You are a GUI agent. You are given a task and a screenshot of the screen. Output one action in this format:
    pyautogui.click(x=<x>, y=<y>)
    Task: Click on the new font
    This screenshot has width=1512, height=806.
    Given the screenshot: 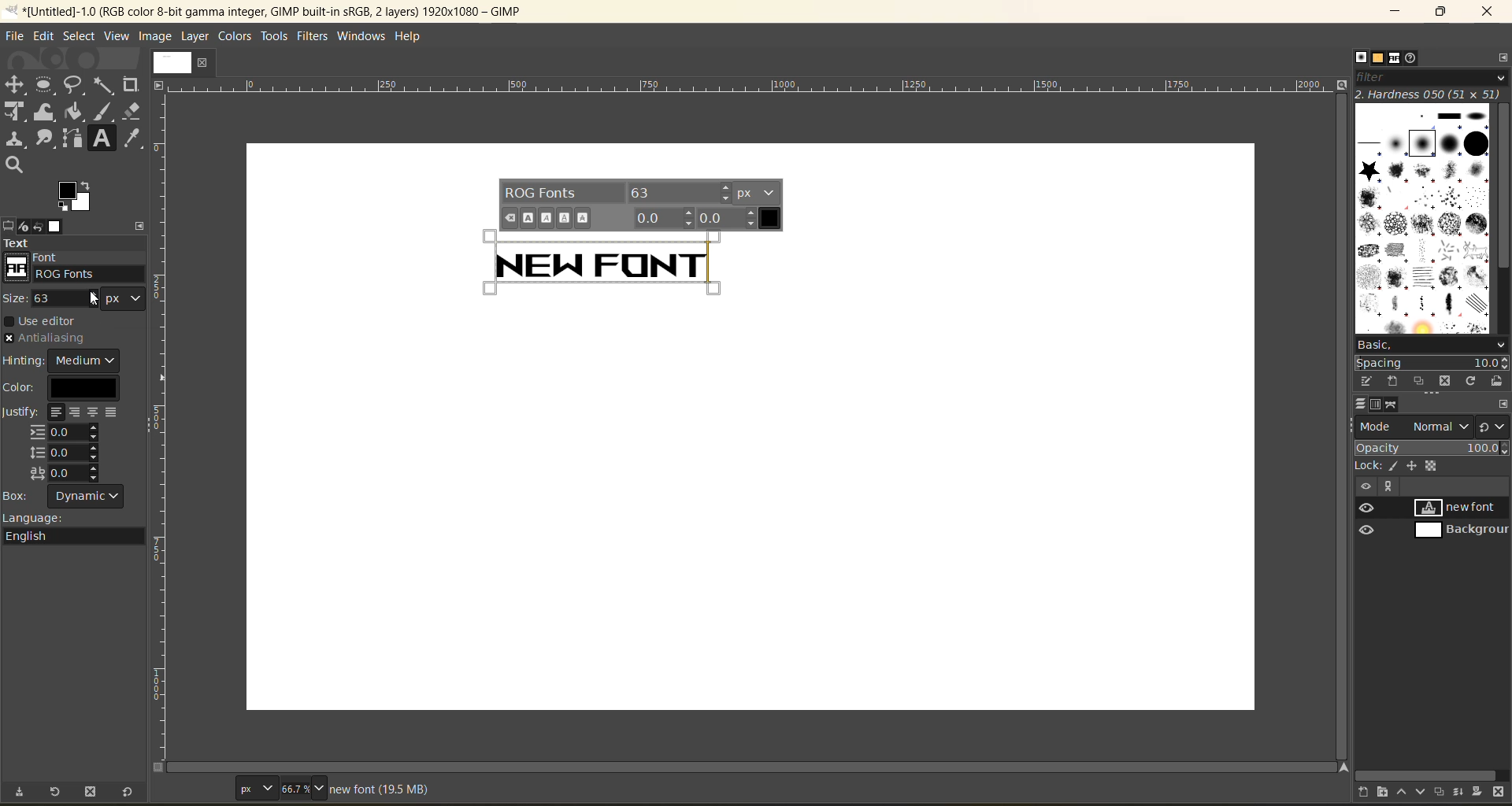 What is the action you would take?
    pyautogui.click(x=1464, y=509)
    